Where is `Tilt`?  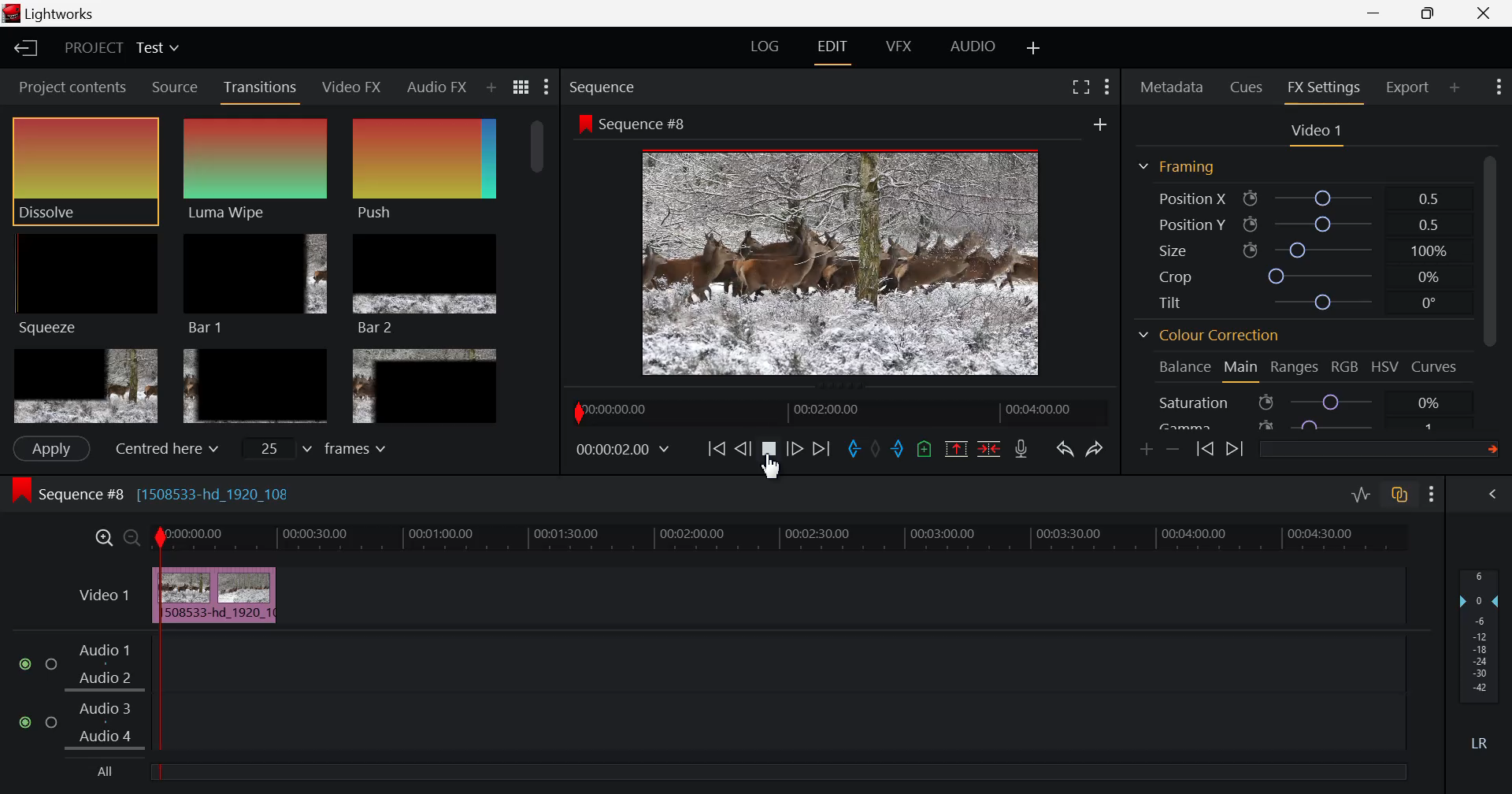
Tilt is located at coordinates (1303, 304).